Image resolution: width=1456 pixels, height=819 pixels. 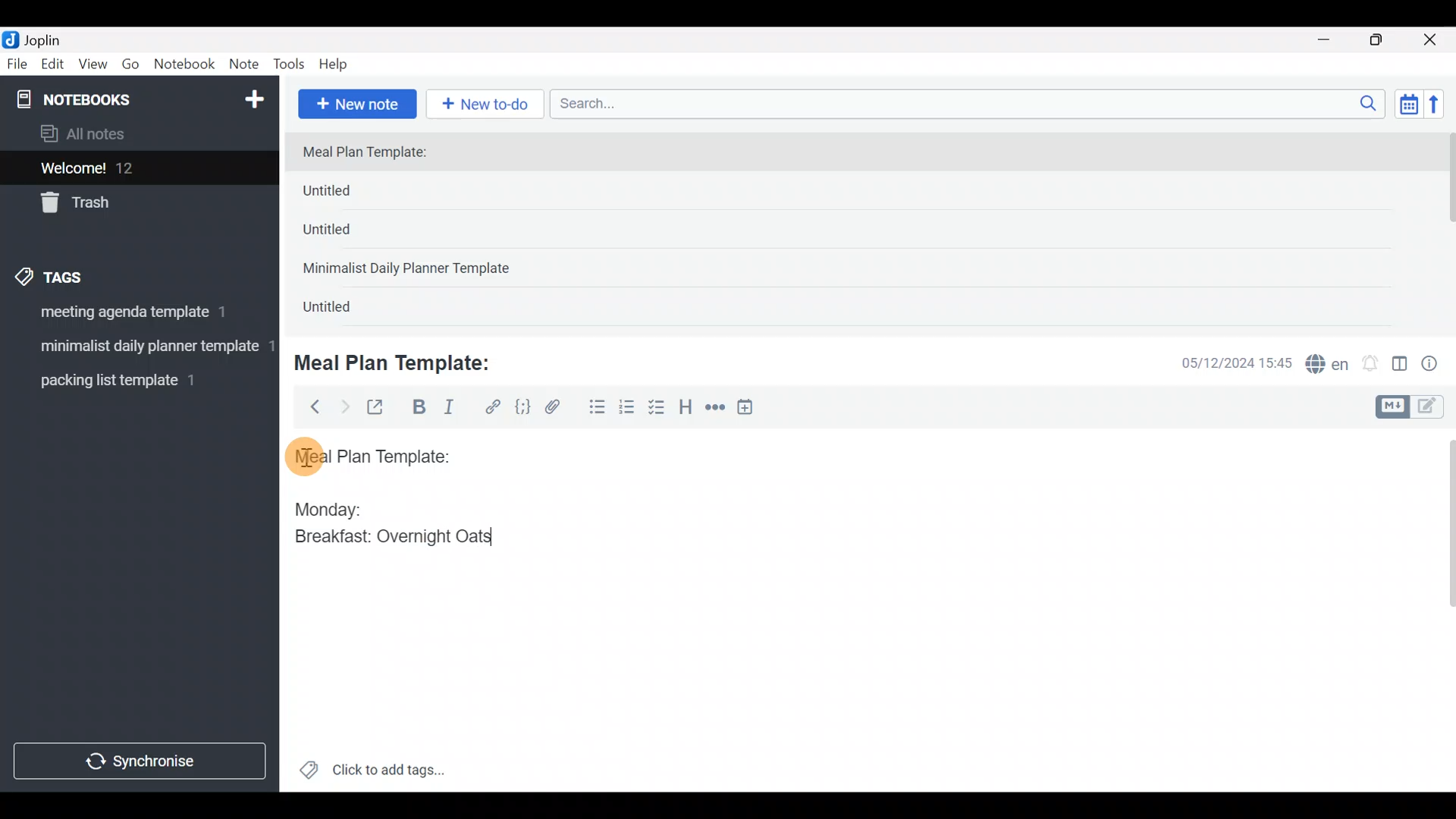 What do you see at coordinates (1447, 229) in the screenshot?
I see `Scroll bar` at bounding box center [1447, 229].